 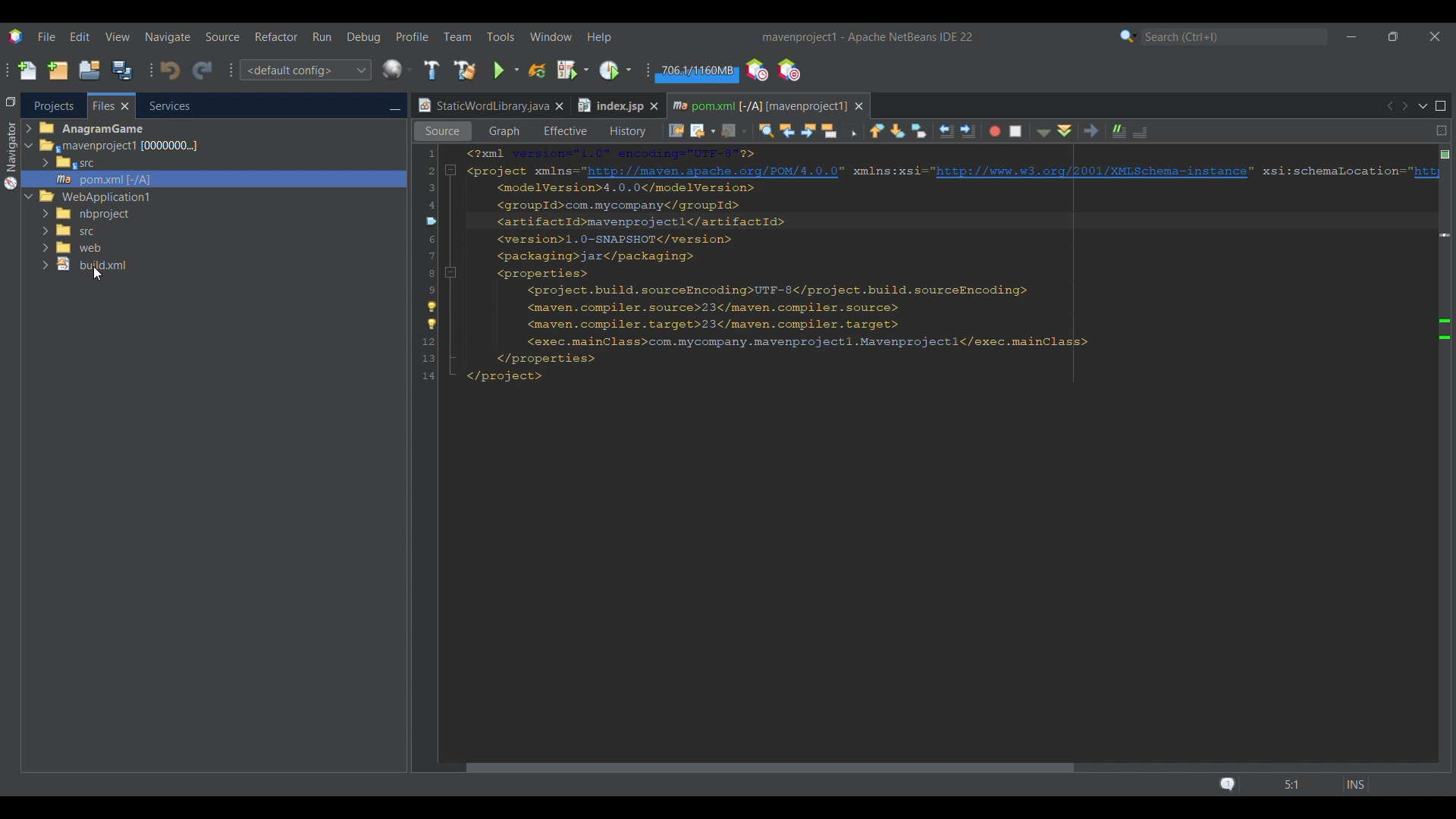 I want to click on Next bookmark, so click(x=899, y=130).